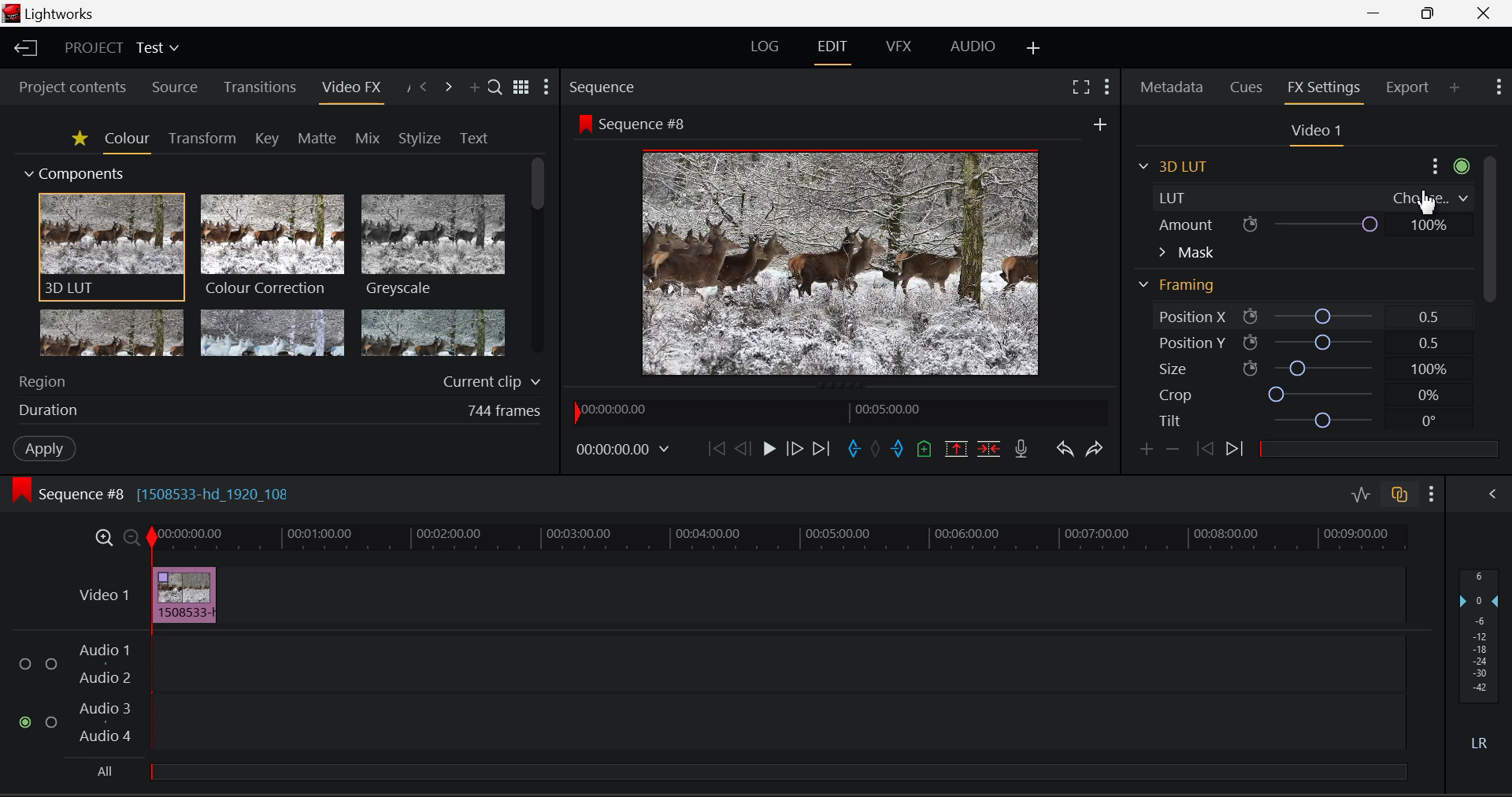 This screenshot has height=797, width=1512. Describe the element at coordinates (103, 595) in the screenshot. I see `Video Layer` at that location.